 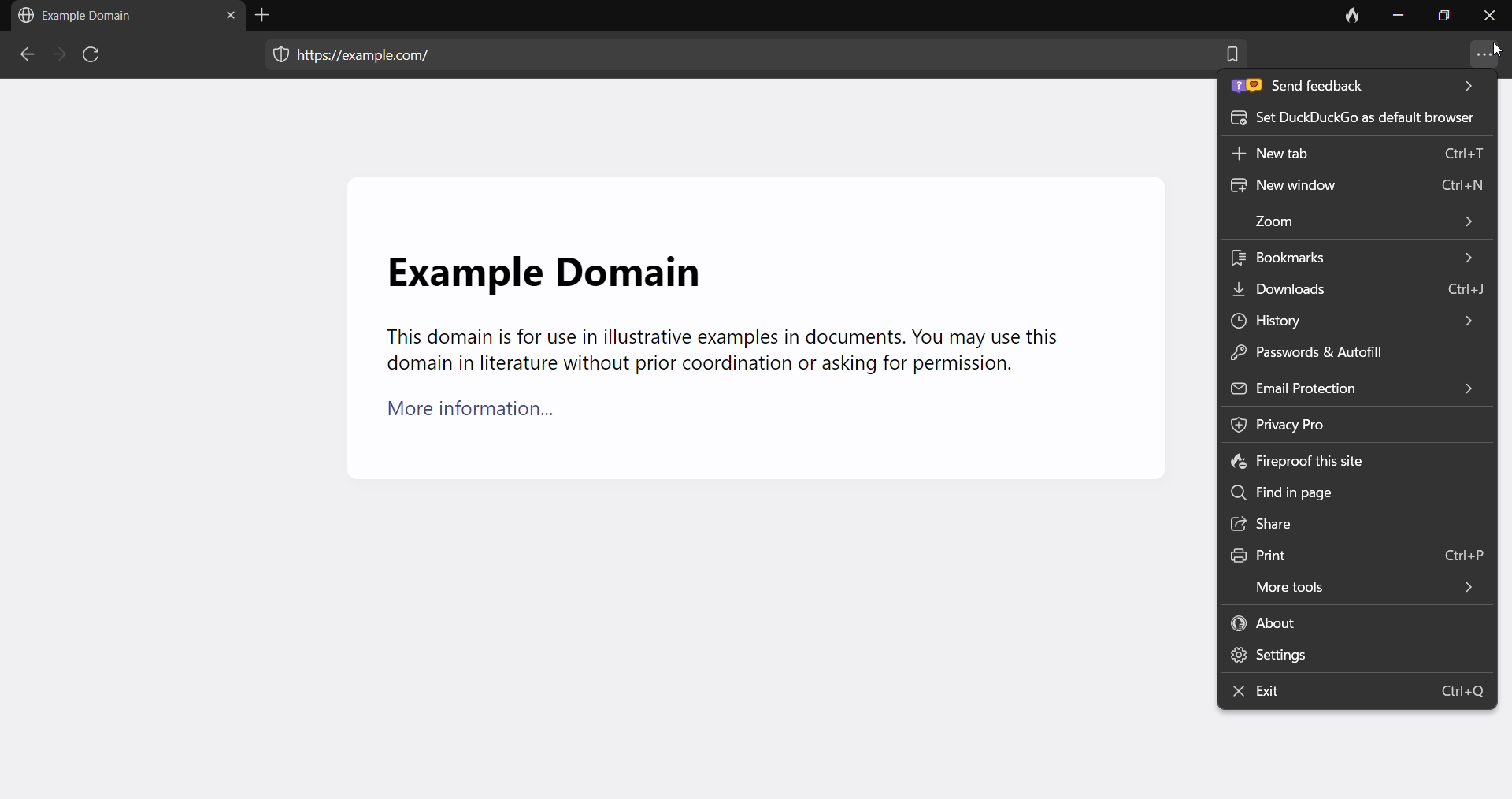 I want to click on Exit, so click(x=1358, y=692).